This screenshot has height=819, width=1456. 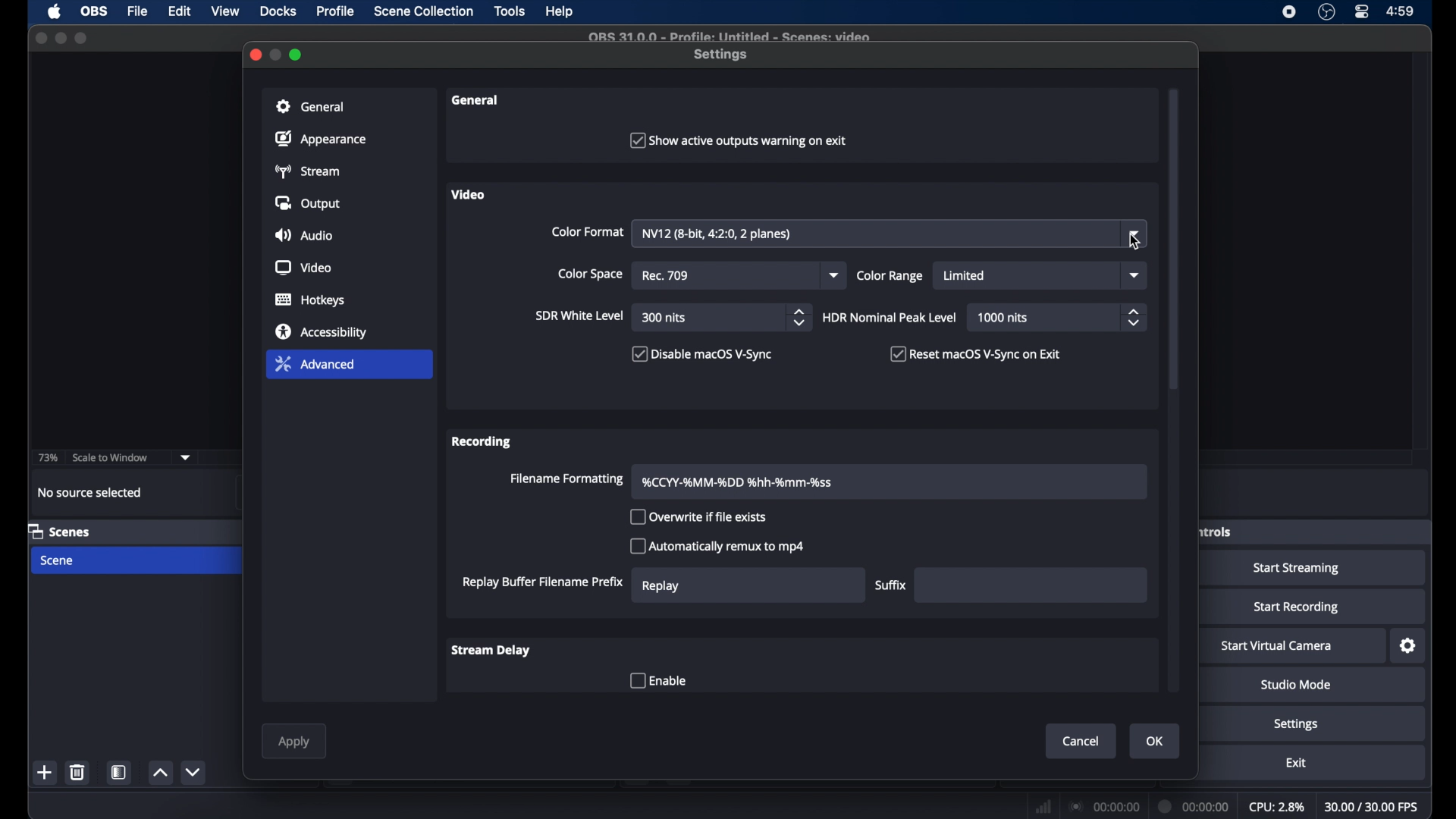 I want to click on start streaming, so click(x=1297, y=570).